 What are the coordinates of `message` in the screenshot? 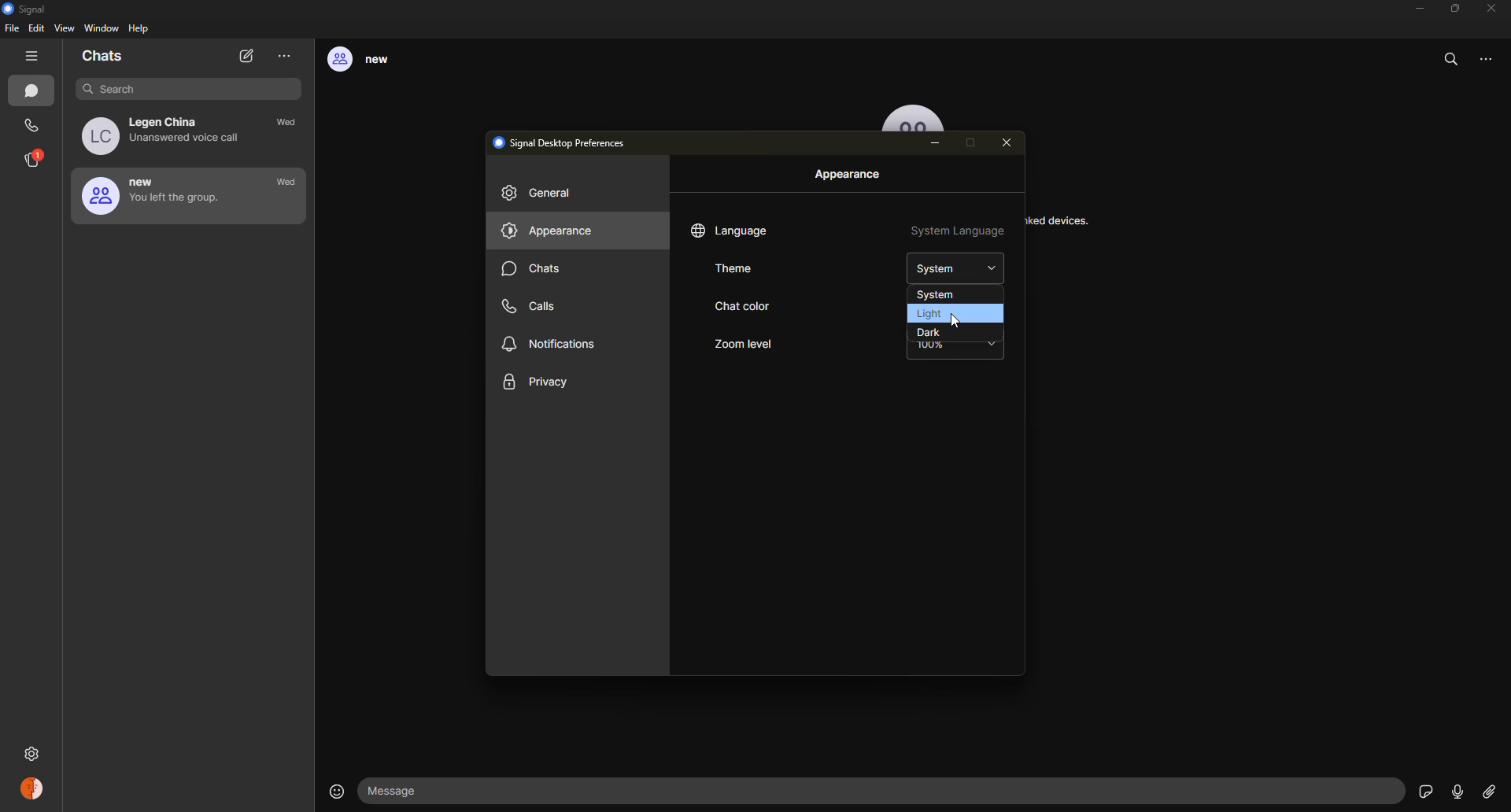 It's located at (402, 791).